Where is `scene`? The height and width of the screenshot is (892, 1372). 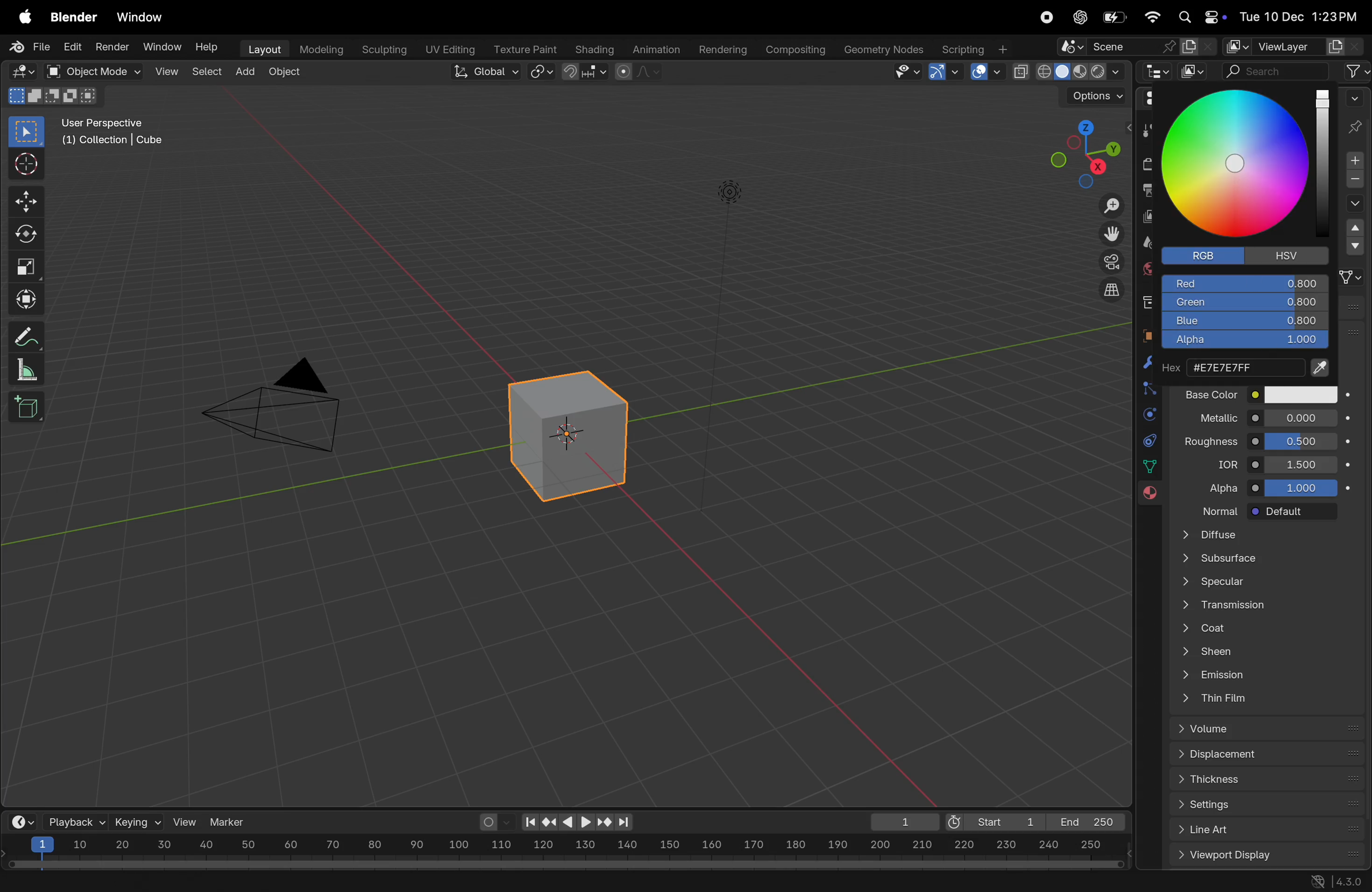
scene is located at coordinates (1144, 243).